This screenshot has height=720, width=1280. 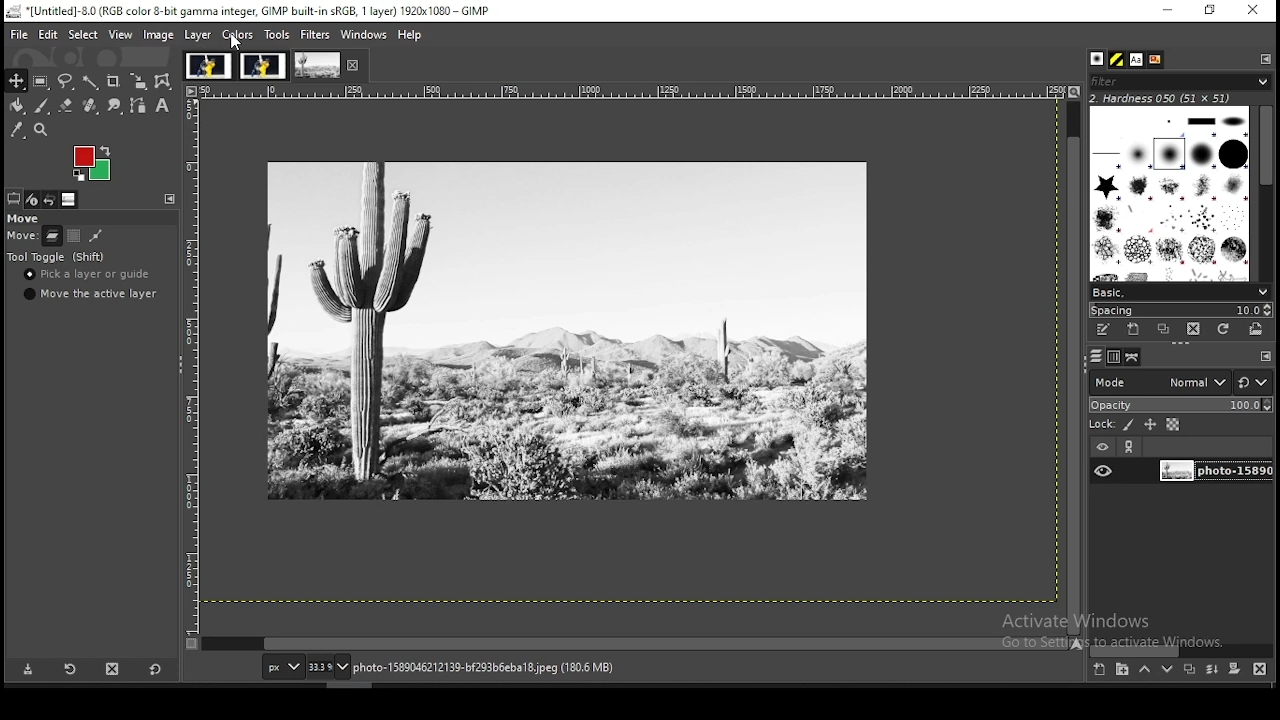 What do you see at coordinates (1188, 669) in the screenshot?
I see `duplicate this layer` at bounding box center [1188, 669].